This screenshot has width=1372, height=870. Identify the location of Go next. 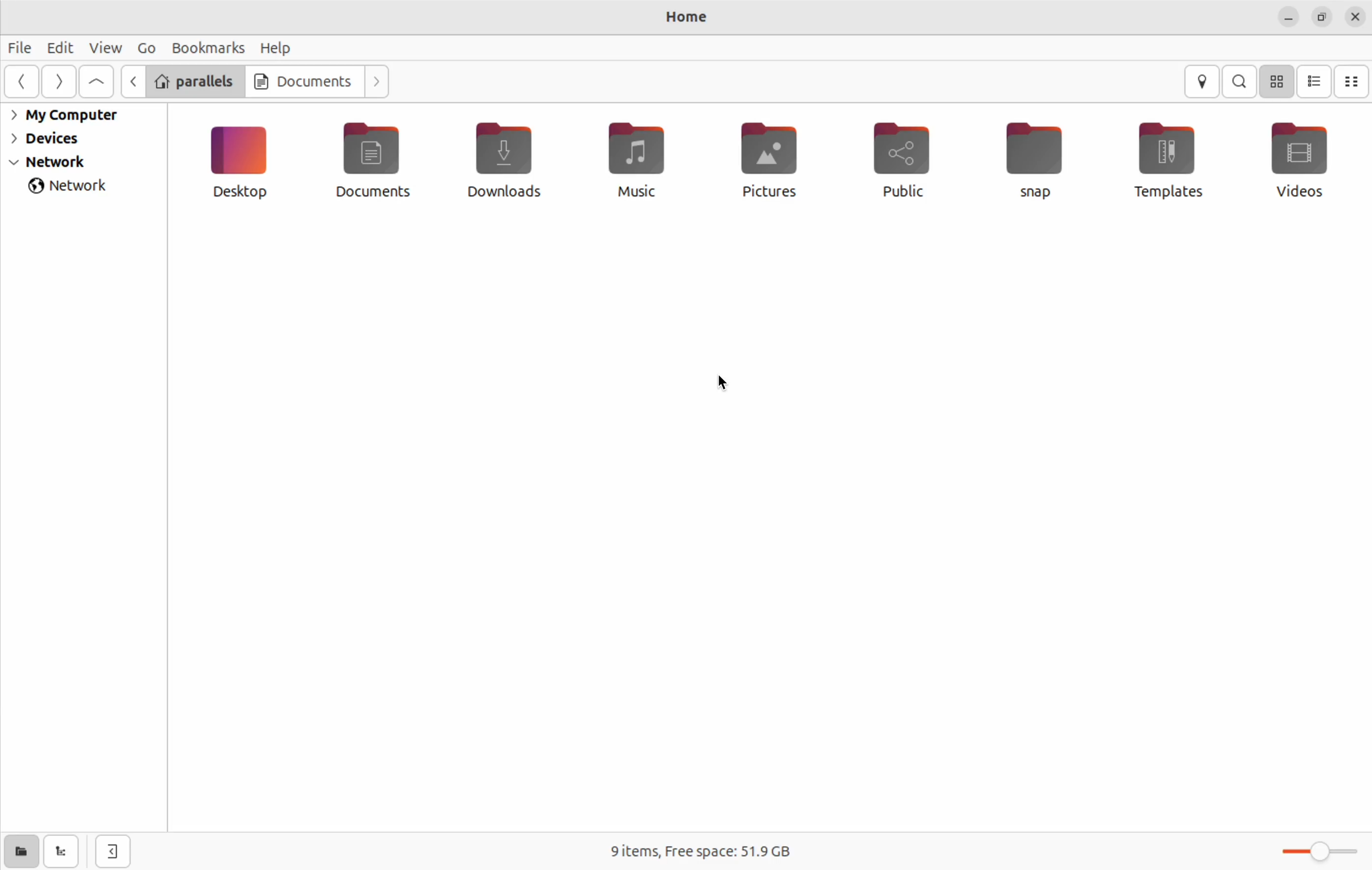
(378, 80).